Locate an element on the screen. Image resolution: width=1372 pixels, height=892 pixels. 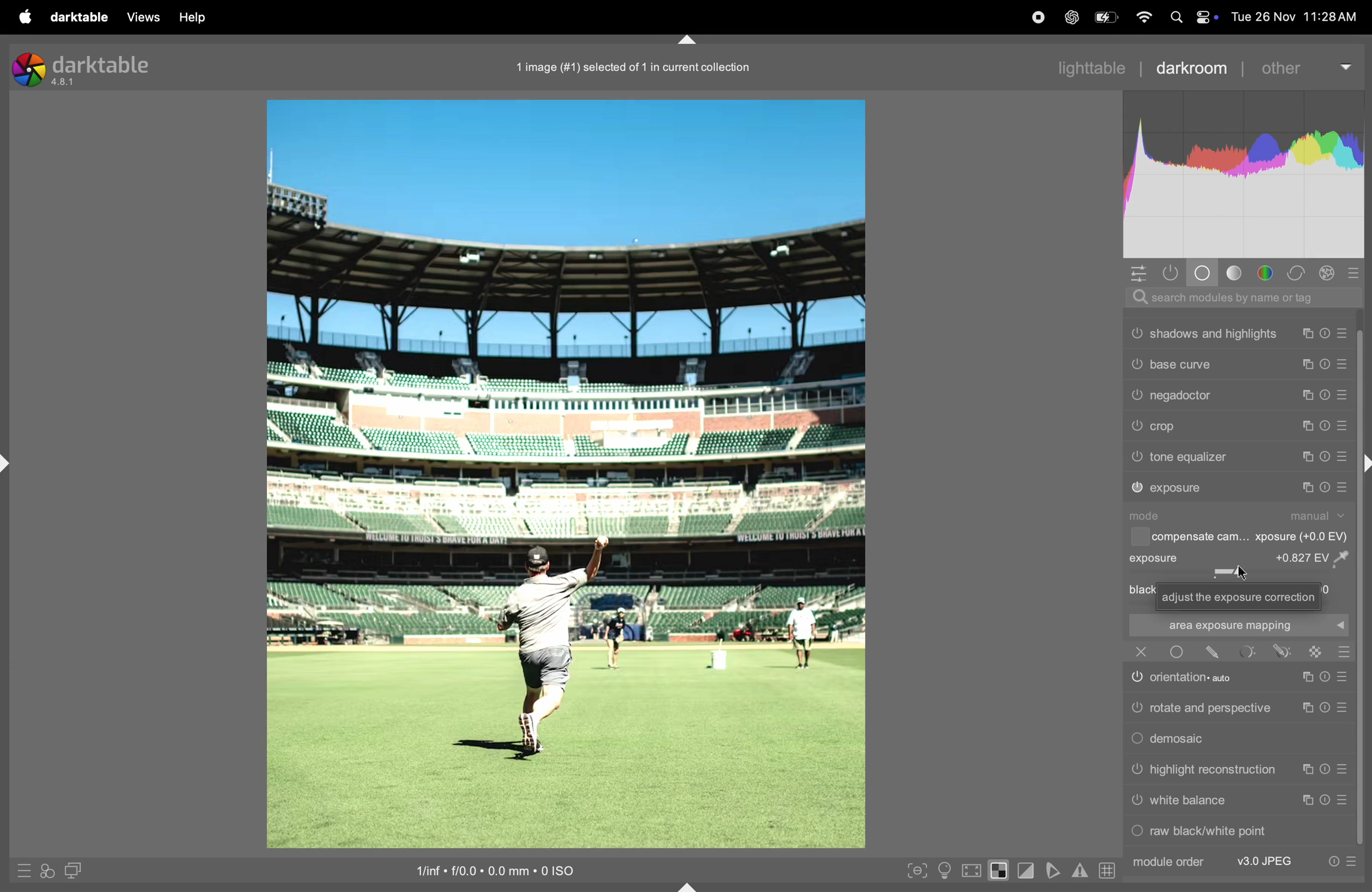
copy is located at coordinates (1308, 800).